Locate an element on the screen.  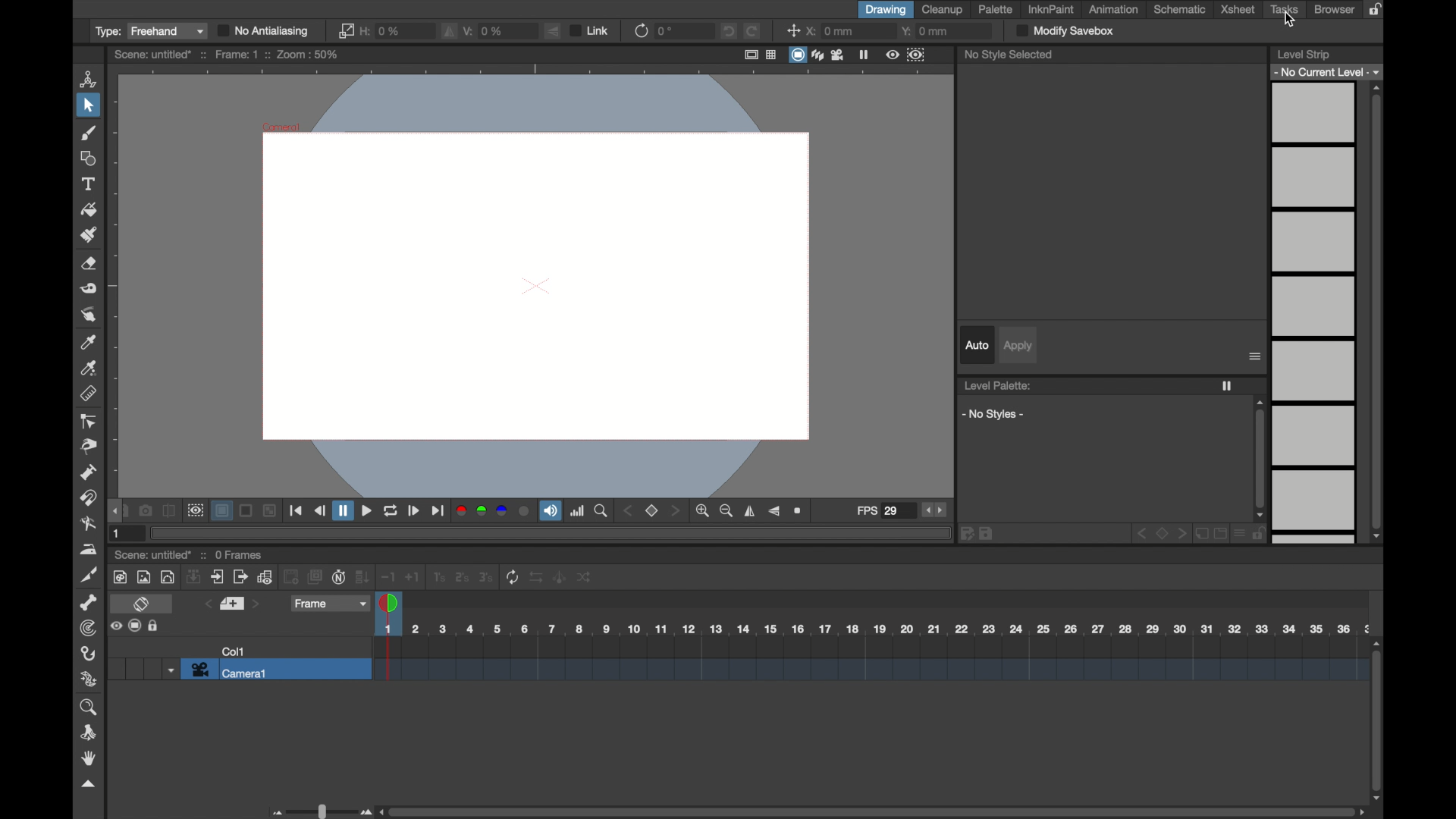
iron tool is located at coordinates (89, 550).